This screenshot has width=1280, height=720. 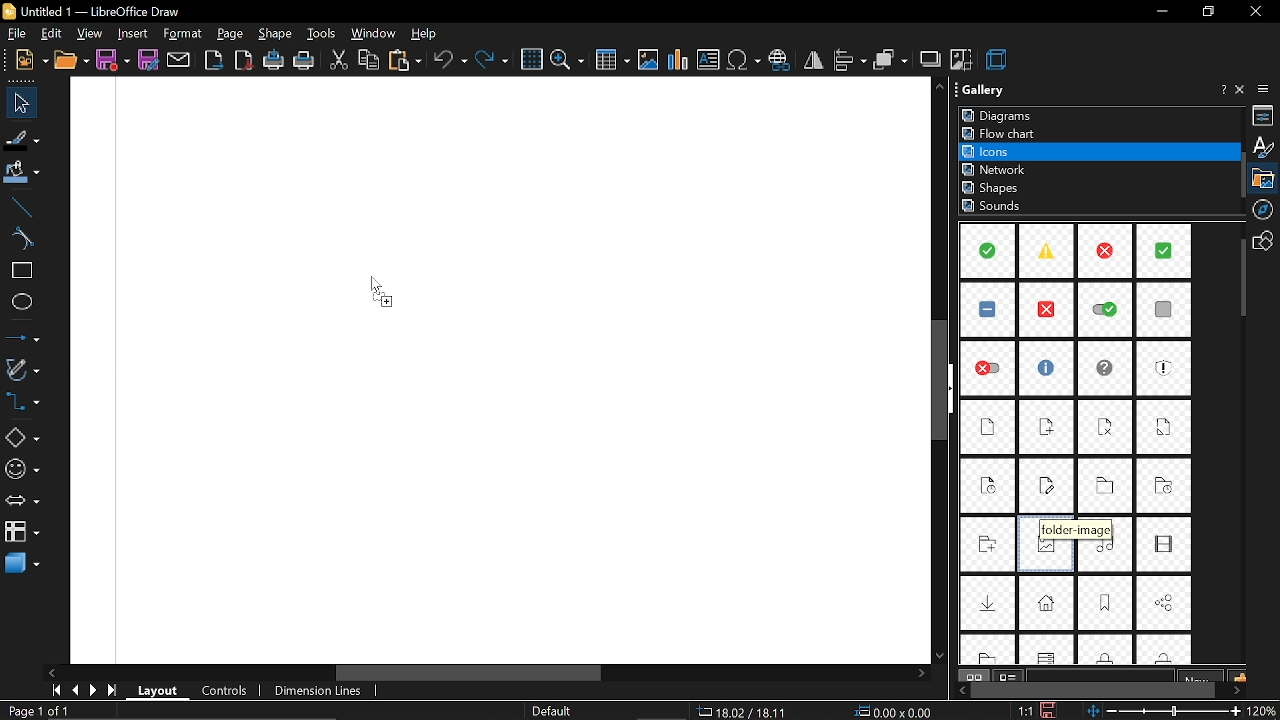 What do you see at coordinates (1165, 712) in the screenshot?
I see `change zoom` at bounding box center [1165, 712].